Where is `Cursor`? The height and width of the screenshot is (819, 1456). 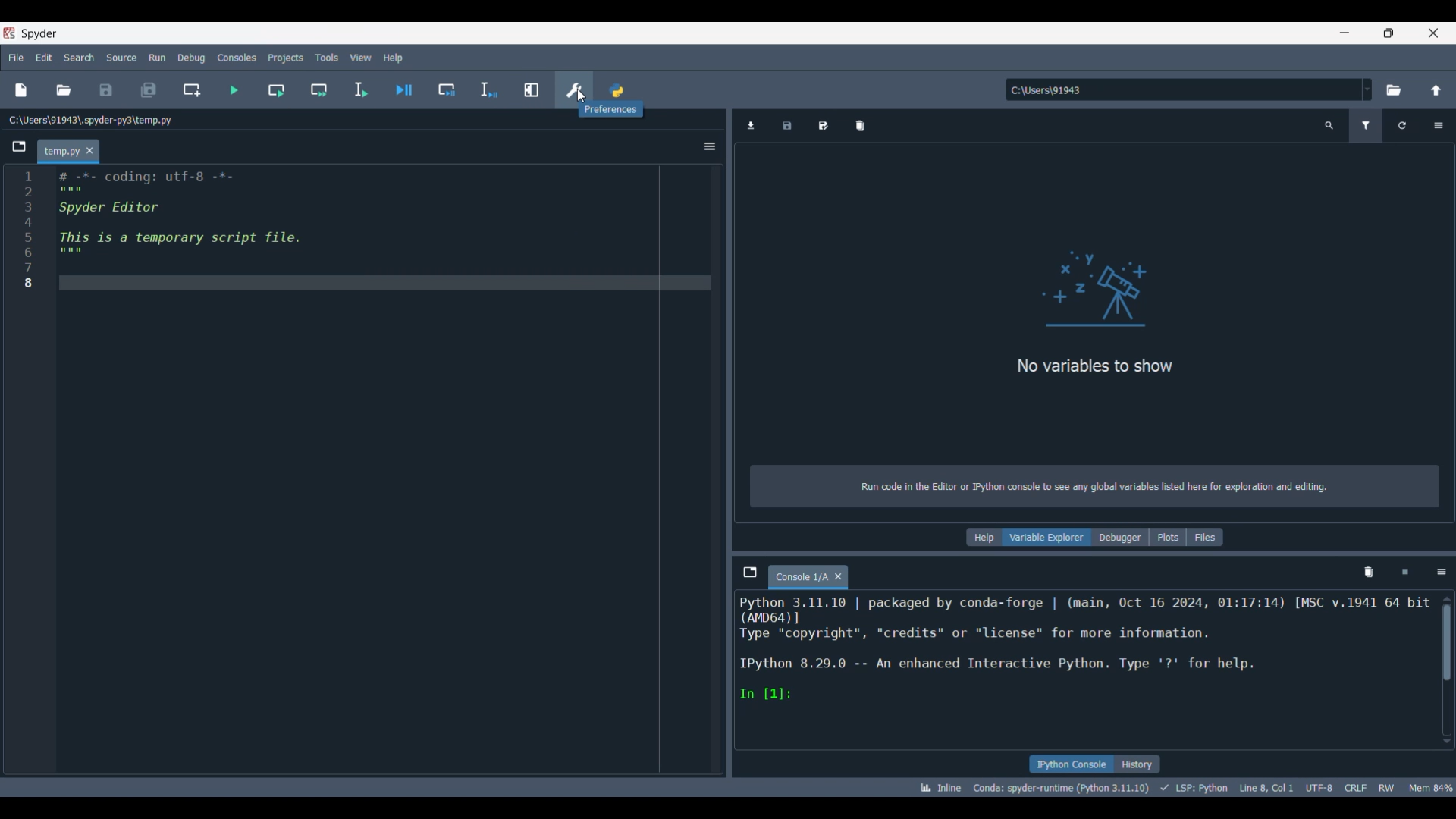
Cursor is located at coordinates (579, 98).